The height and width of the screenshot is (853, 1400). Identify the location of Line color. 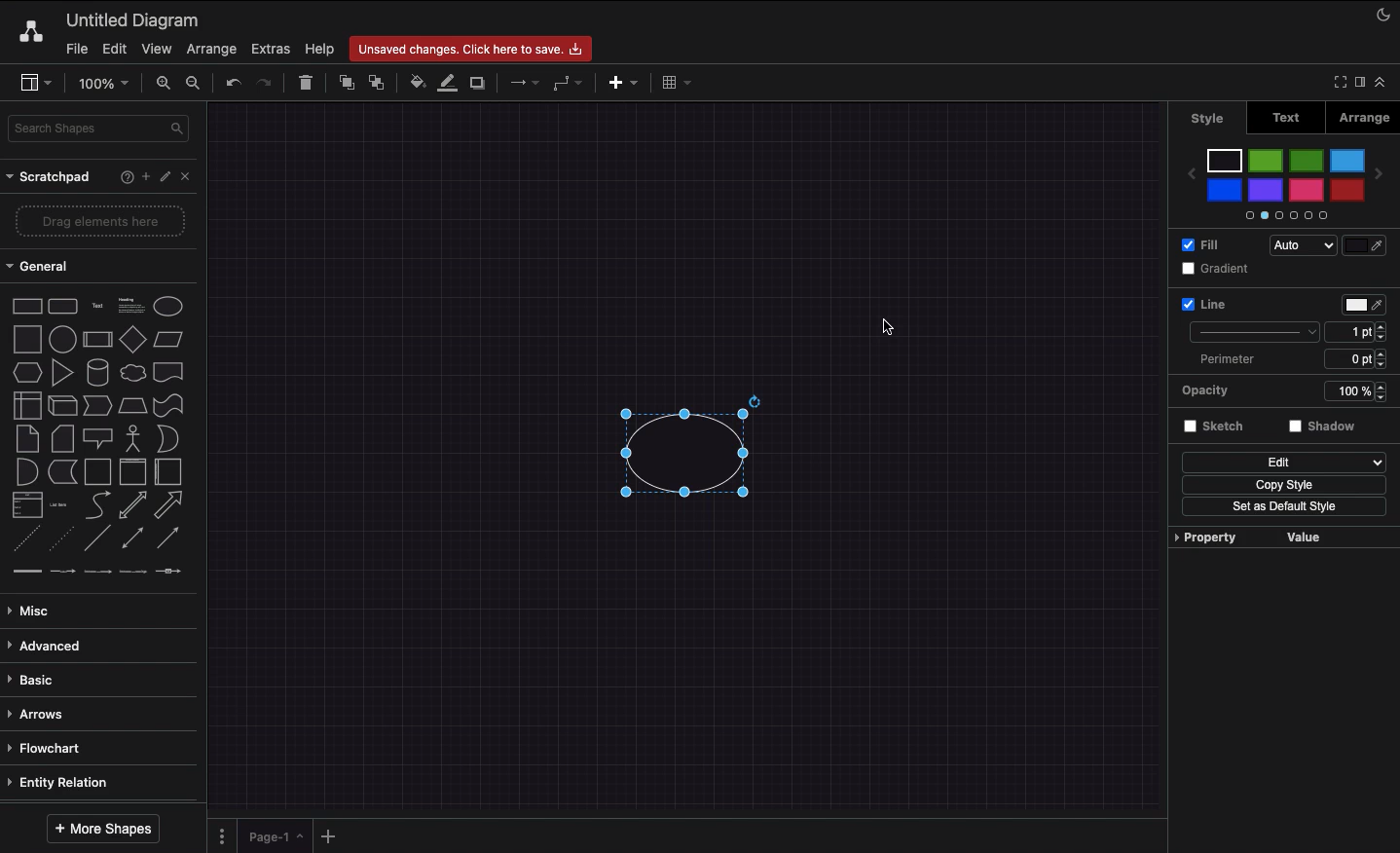
(447, 81).